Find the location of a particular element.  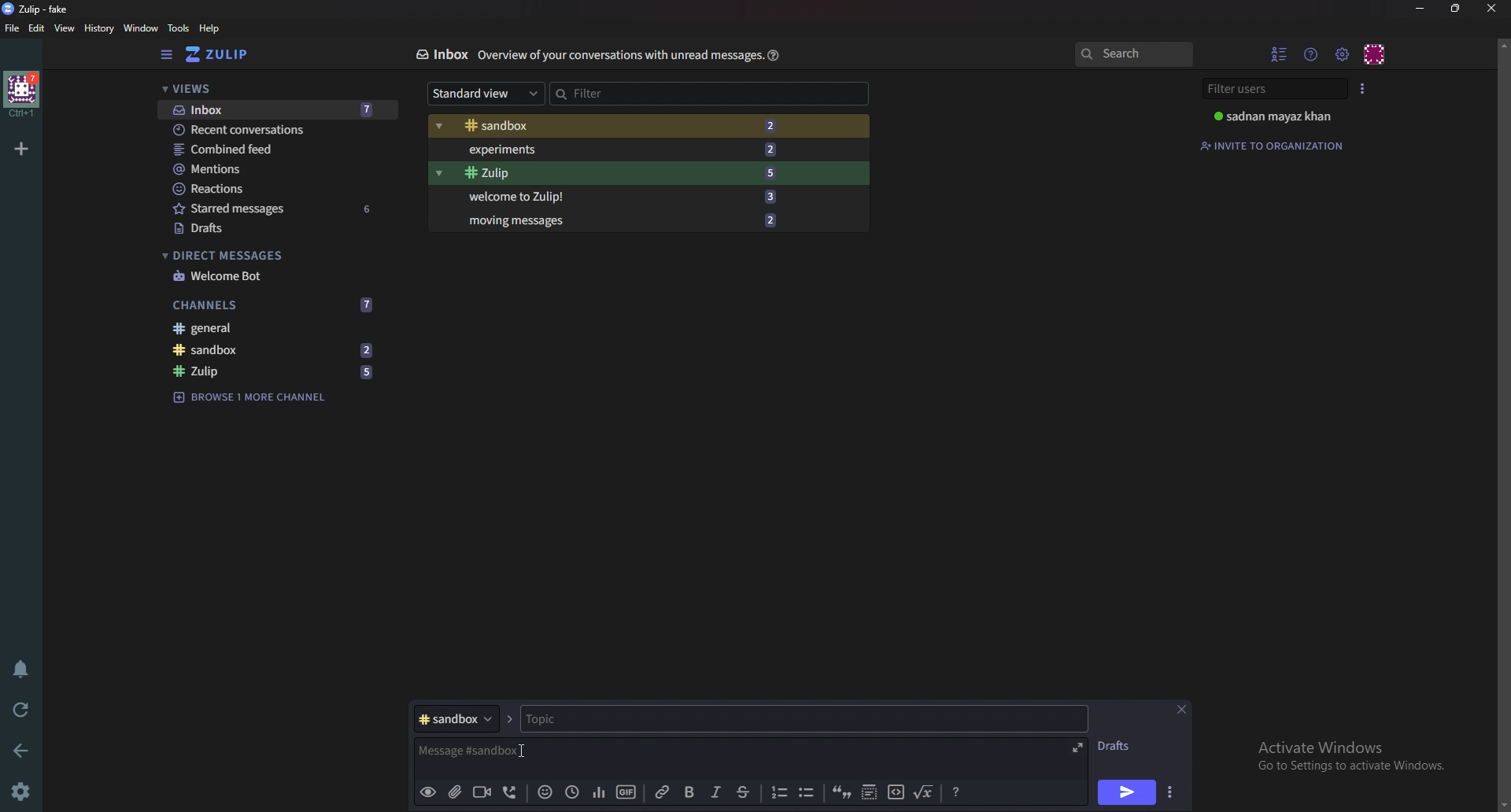

number list is located at coordinates (779, 792).